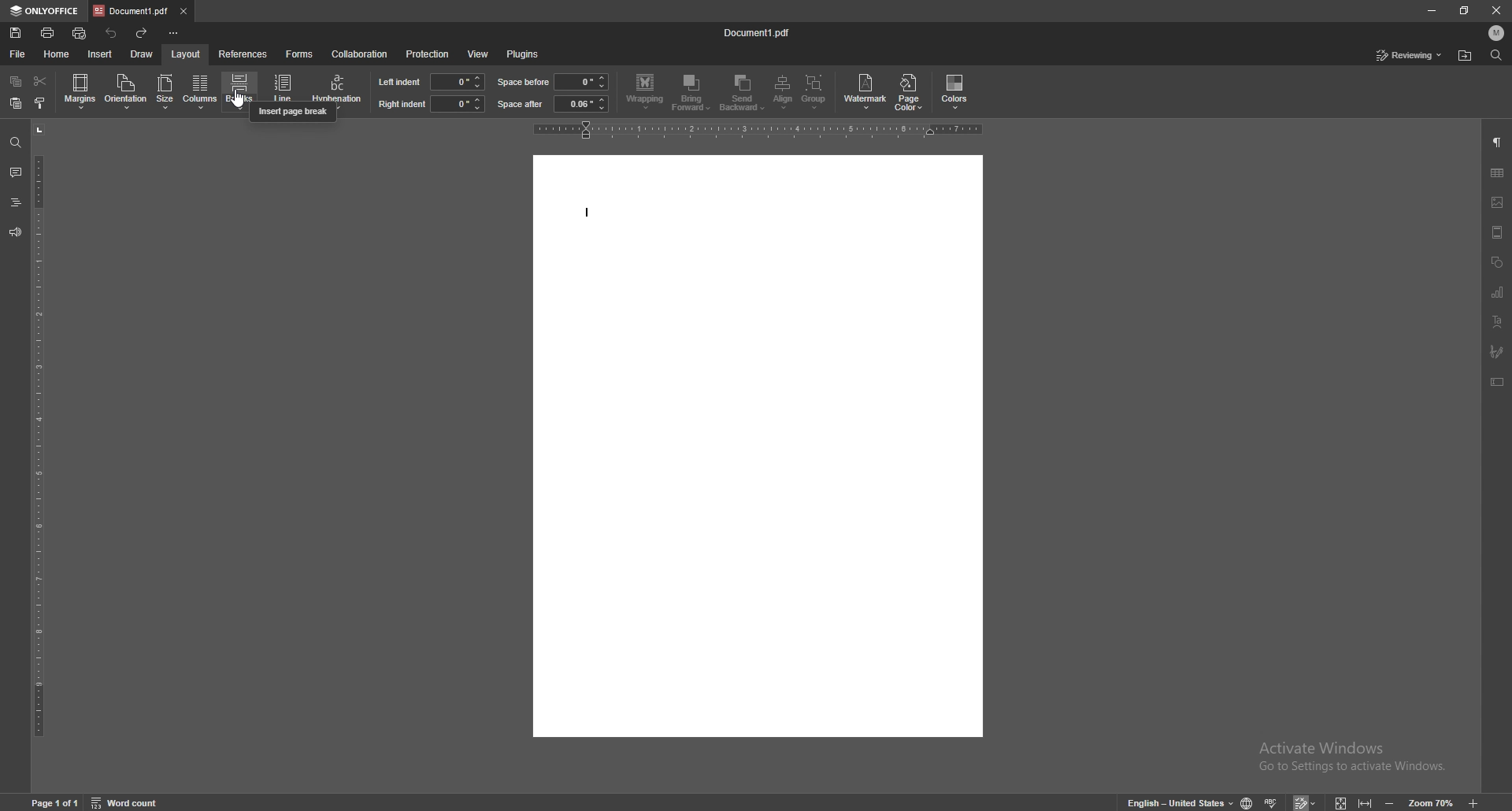  I want to click on document, so click(758, 446).